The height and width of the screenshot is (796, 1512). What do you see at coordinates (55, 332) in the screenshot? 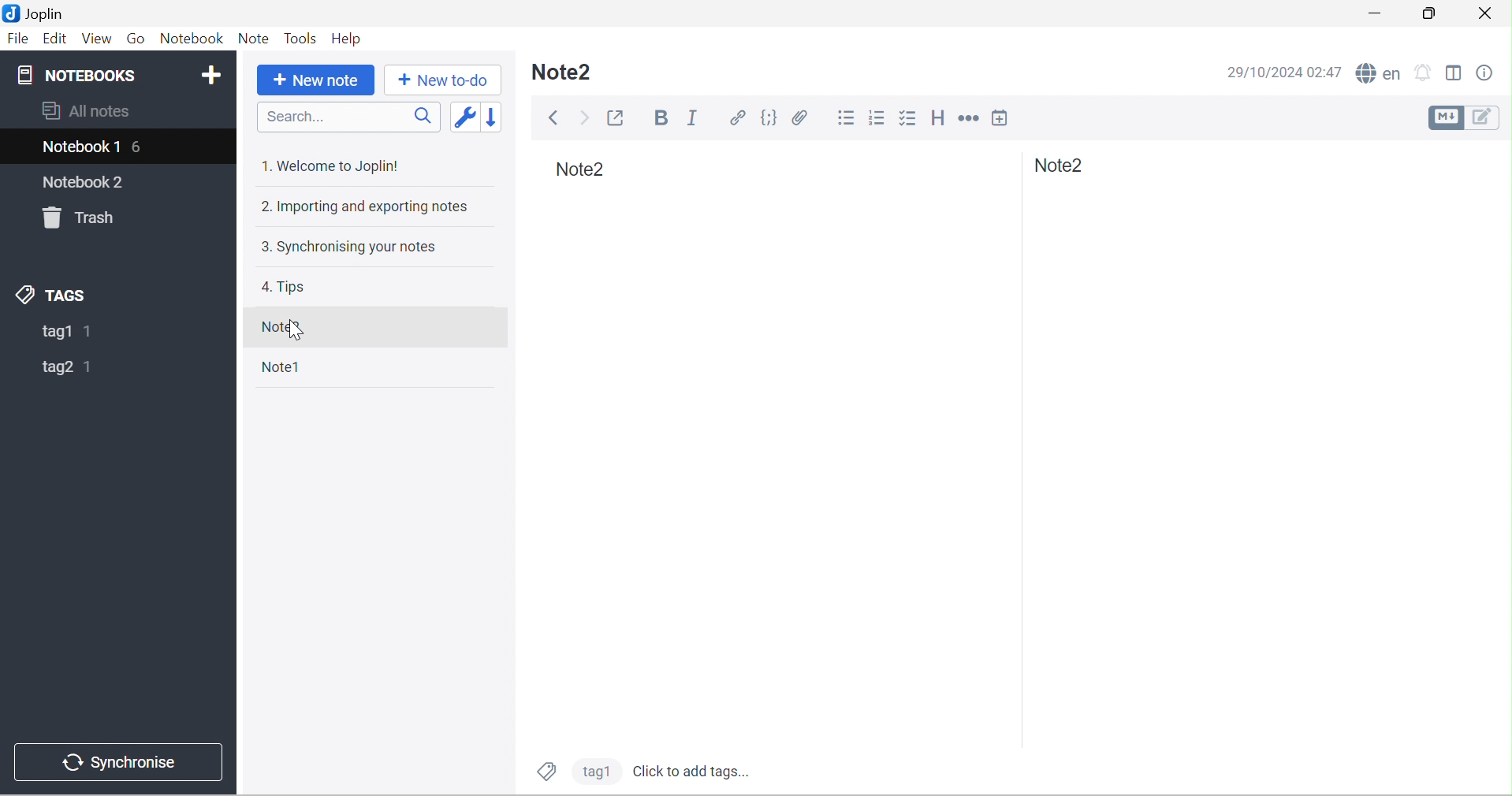
I see `tag1` at bounding box center [55, 332].